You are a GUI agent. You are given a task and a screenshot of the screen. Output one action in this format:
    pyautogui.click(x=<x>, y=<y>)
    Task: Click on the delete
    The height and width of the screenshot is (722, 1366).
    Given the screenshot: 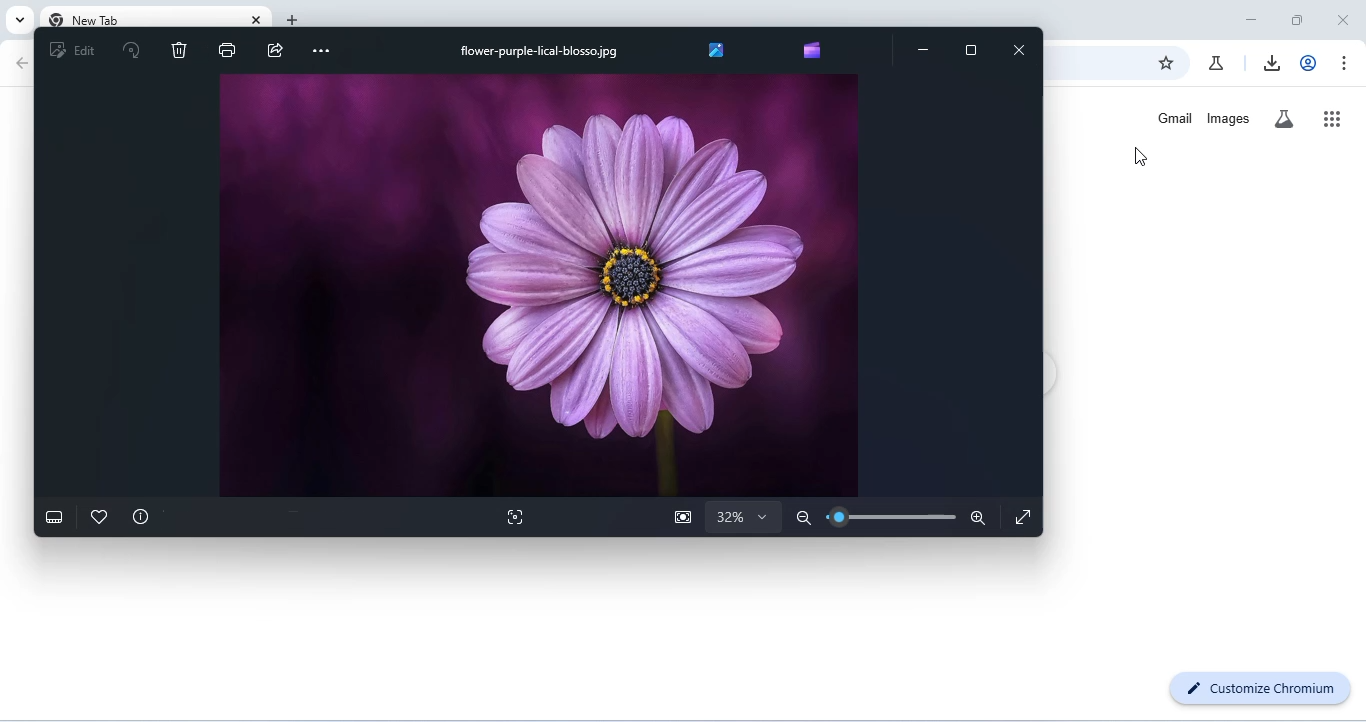 What is the action you would take?
    pyautogui.click(x=180, y=51)
    